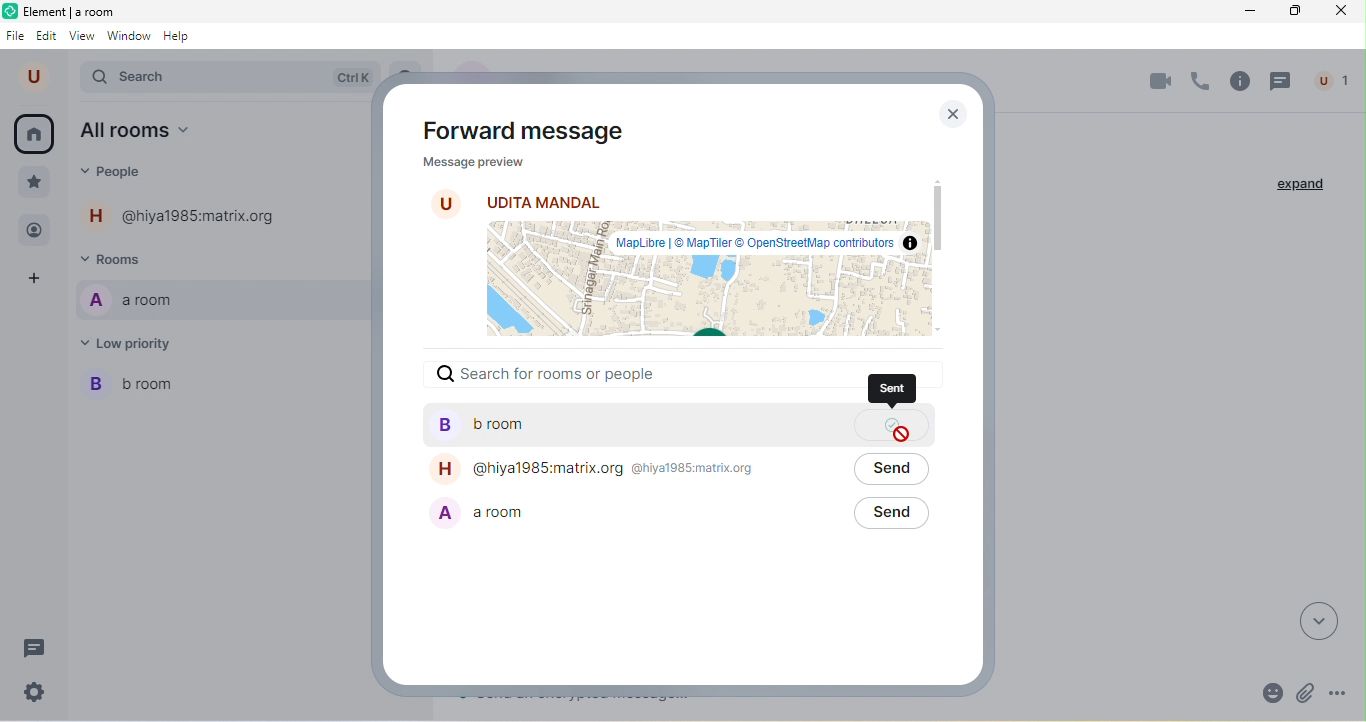 This screenshot has height=722, width=1366. Describe the element at coordinates (47, 37) in the screenshot. I see `edit` at that location.